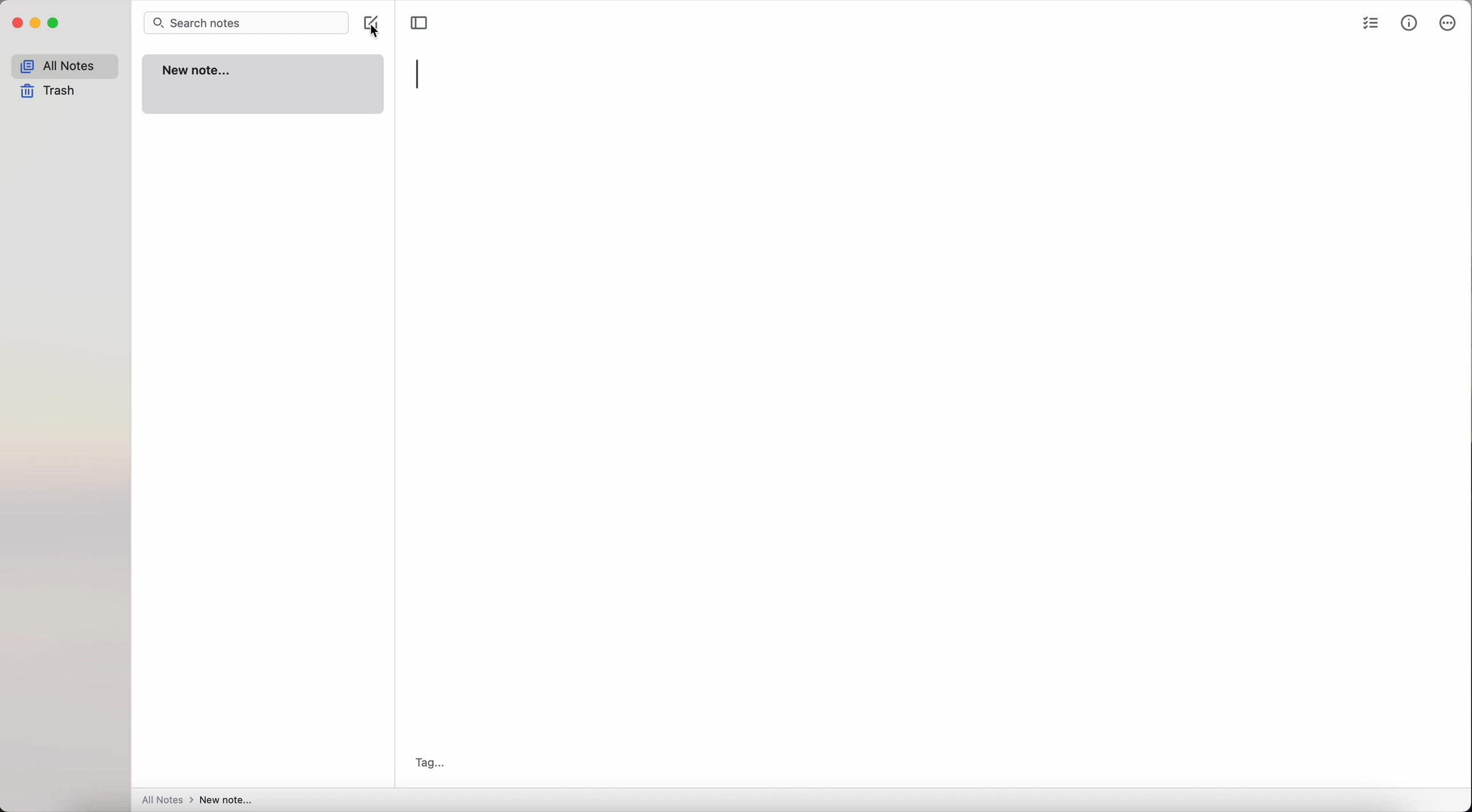 The height and width of the screenshot is (812, 1472). What do you see at coordinates (51, 92) in the screenshot?
I see `trash` at bounding box center [51, 92].